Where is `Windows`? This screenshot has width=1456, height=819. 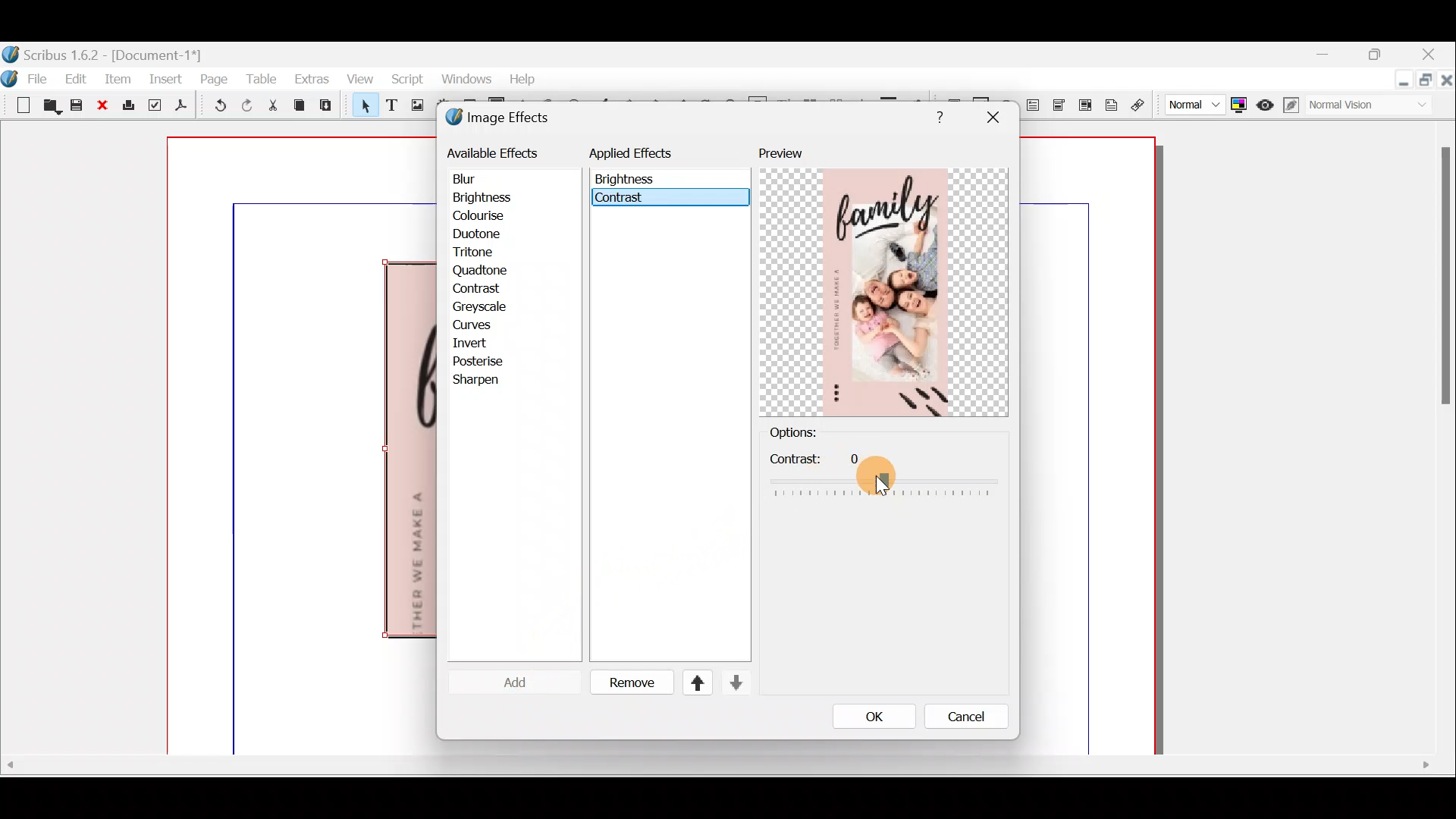 Windows is located at coordinates (462, 82).